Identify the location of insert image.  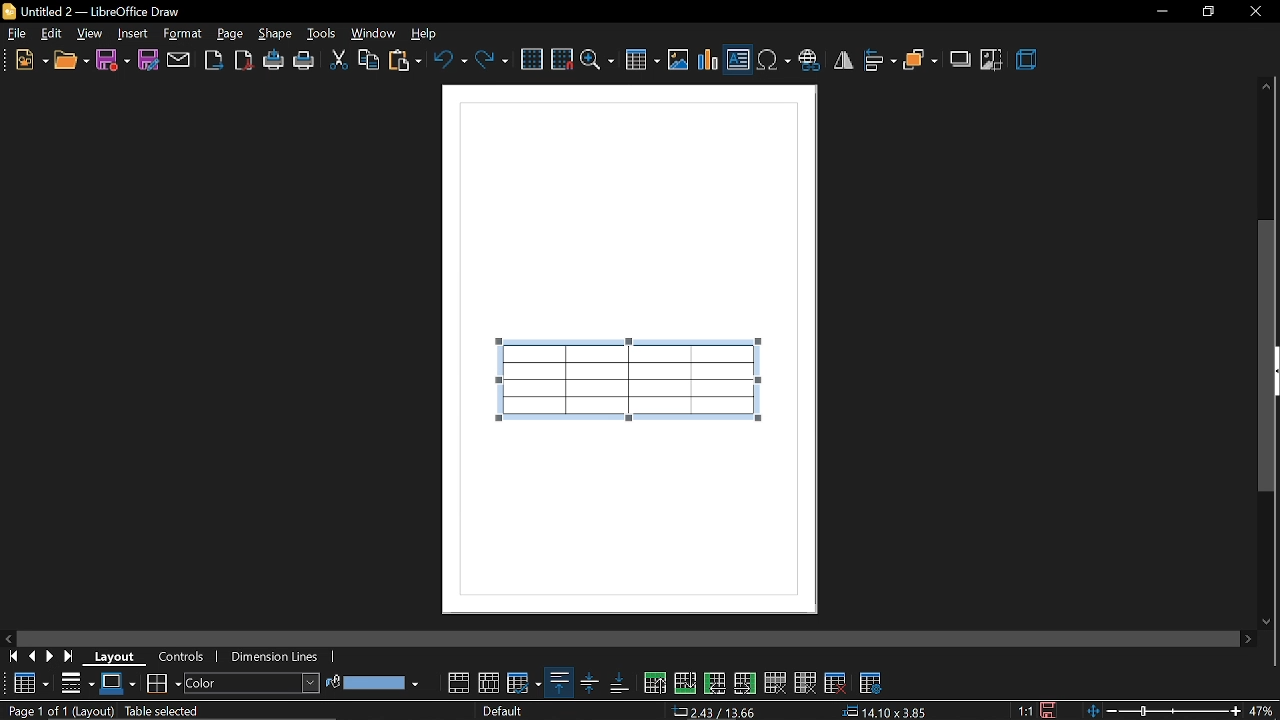
(677, 58).